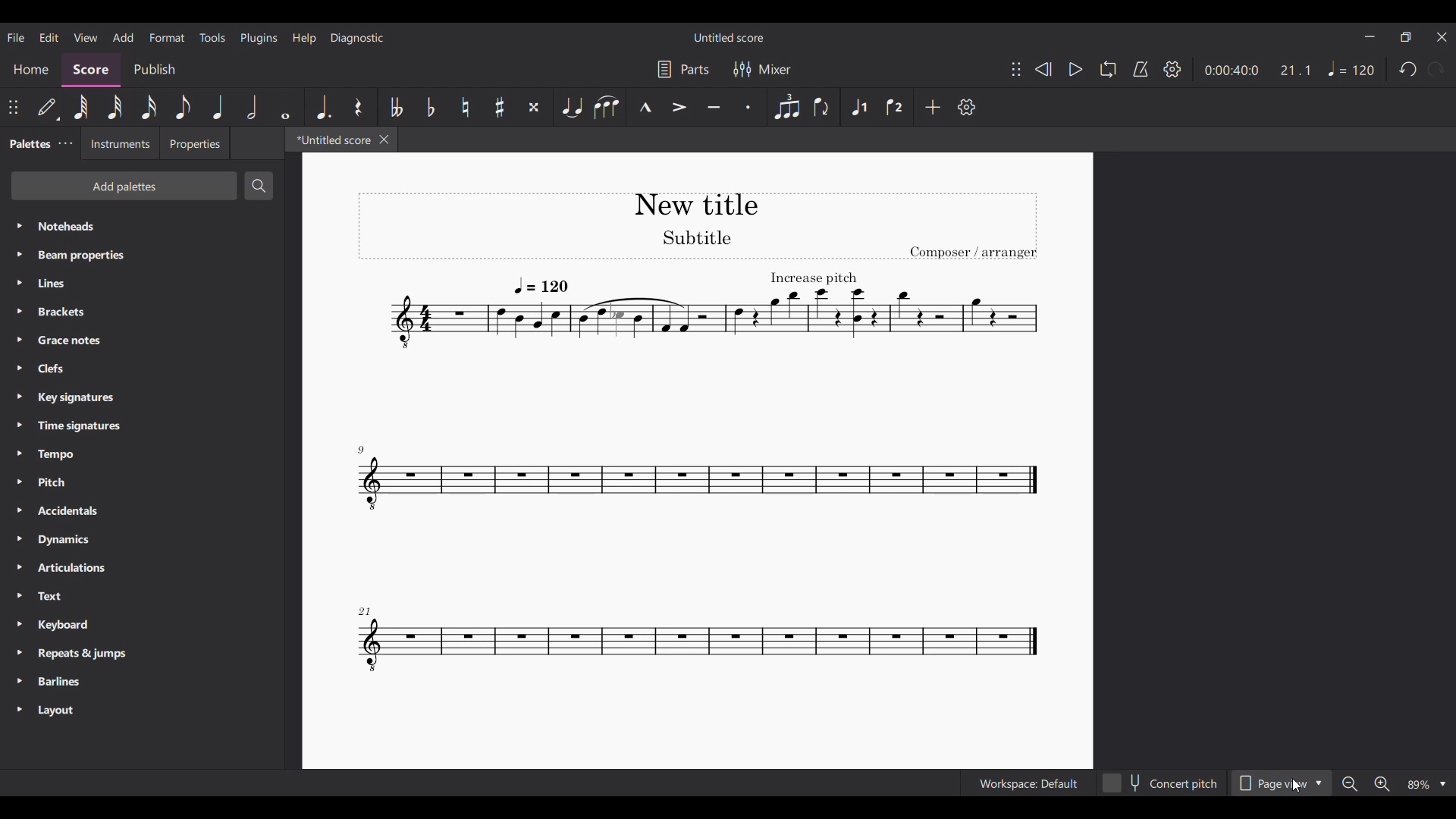 The image size is (1456, 819). Describe the element at coordinates (304, 39) in the screenshot. I see `Help menu` at that location.